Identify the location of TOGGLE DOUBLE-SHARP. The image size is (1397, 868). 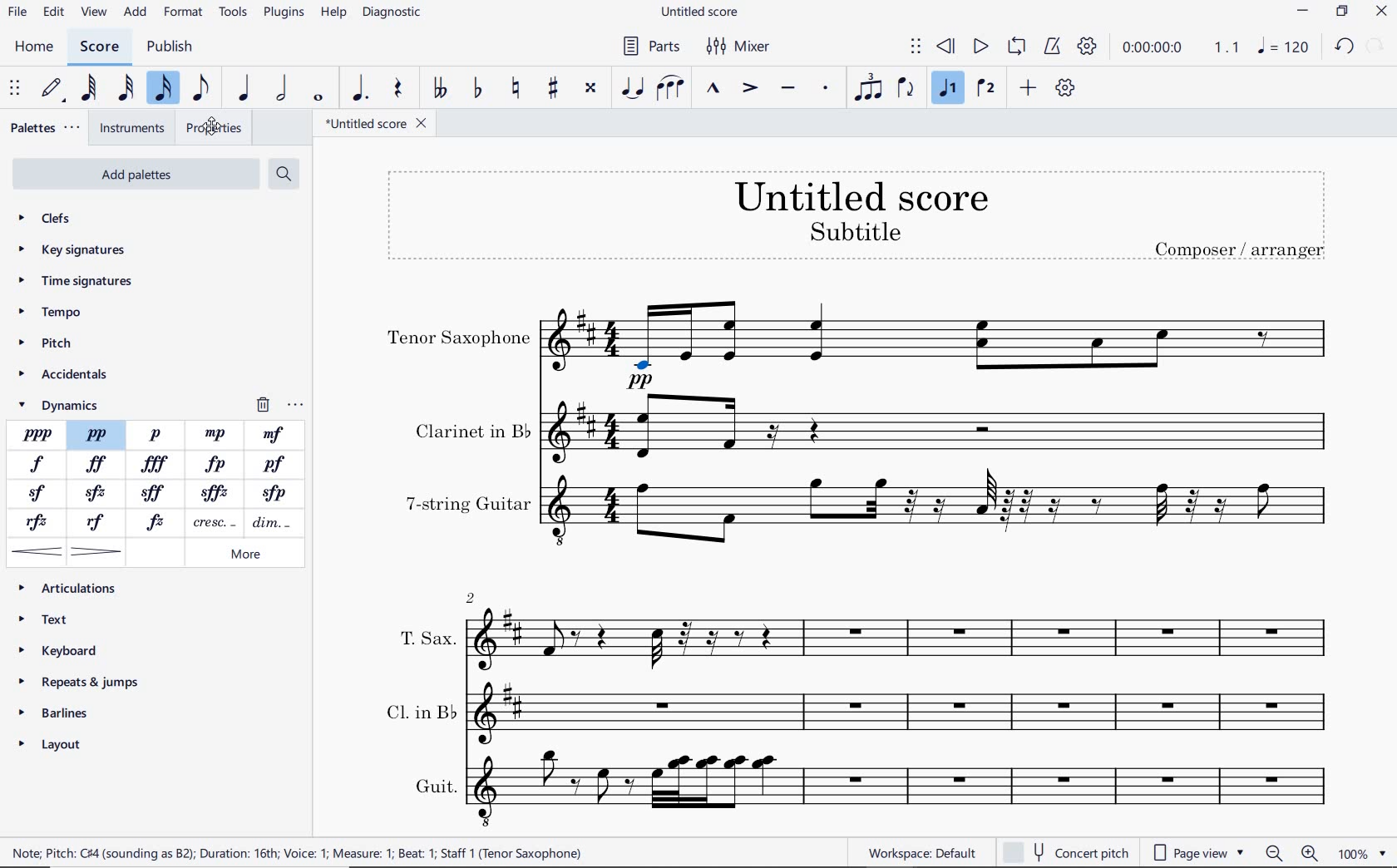
(592, 90).